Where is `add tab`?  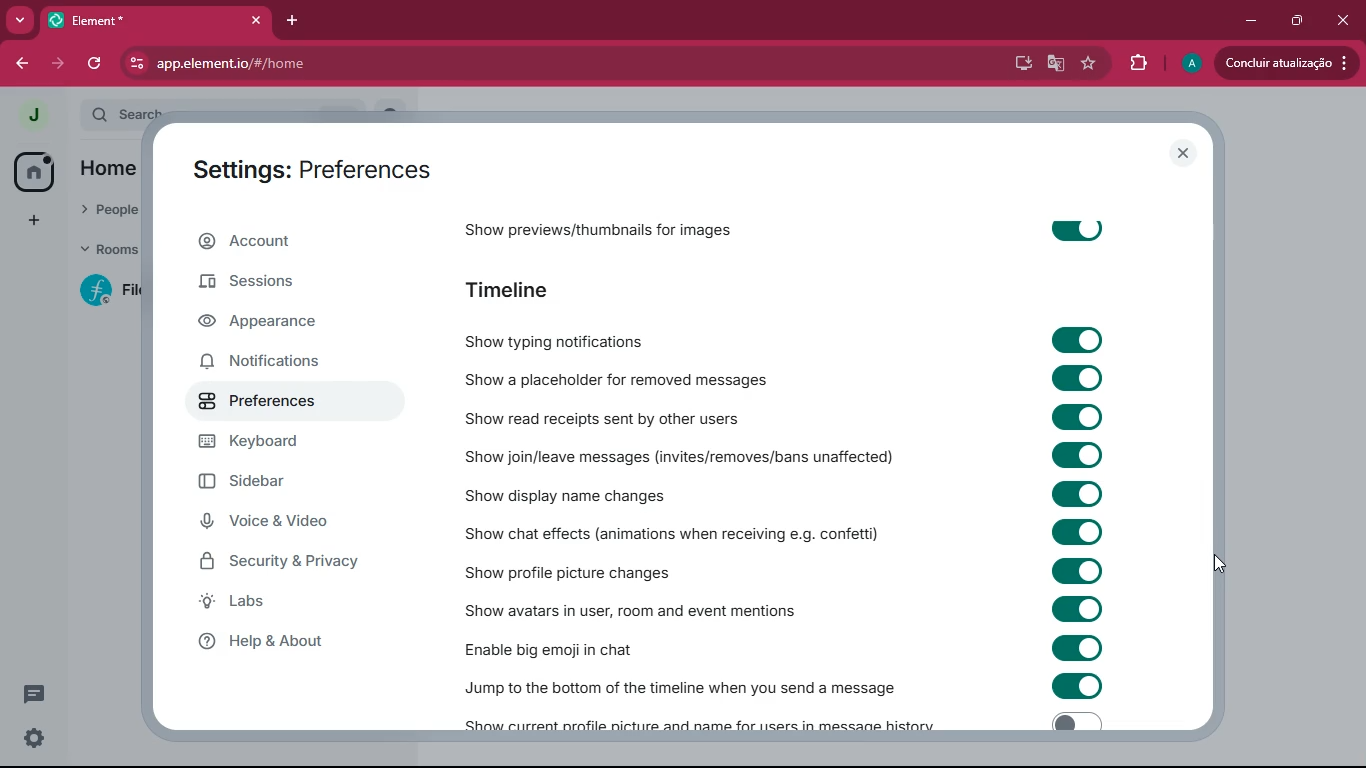
add tab is located at coordinates (289, 21).